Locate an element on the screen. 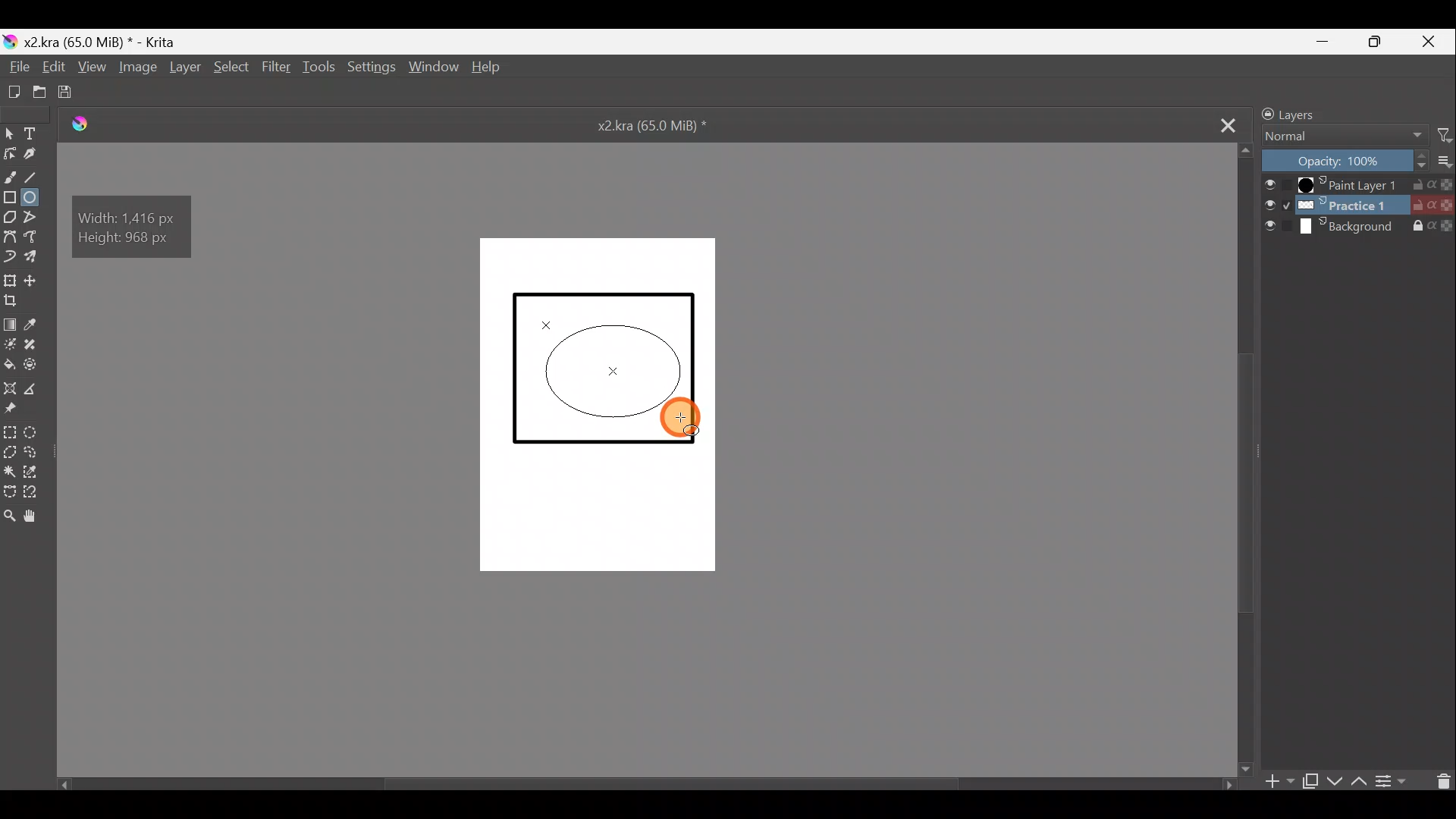 The height and width of the screenshot is (819, 1456). Cursor is located at coordinates (681, 419).